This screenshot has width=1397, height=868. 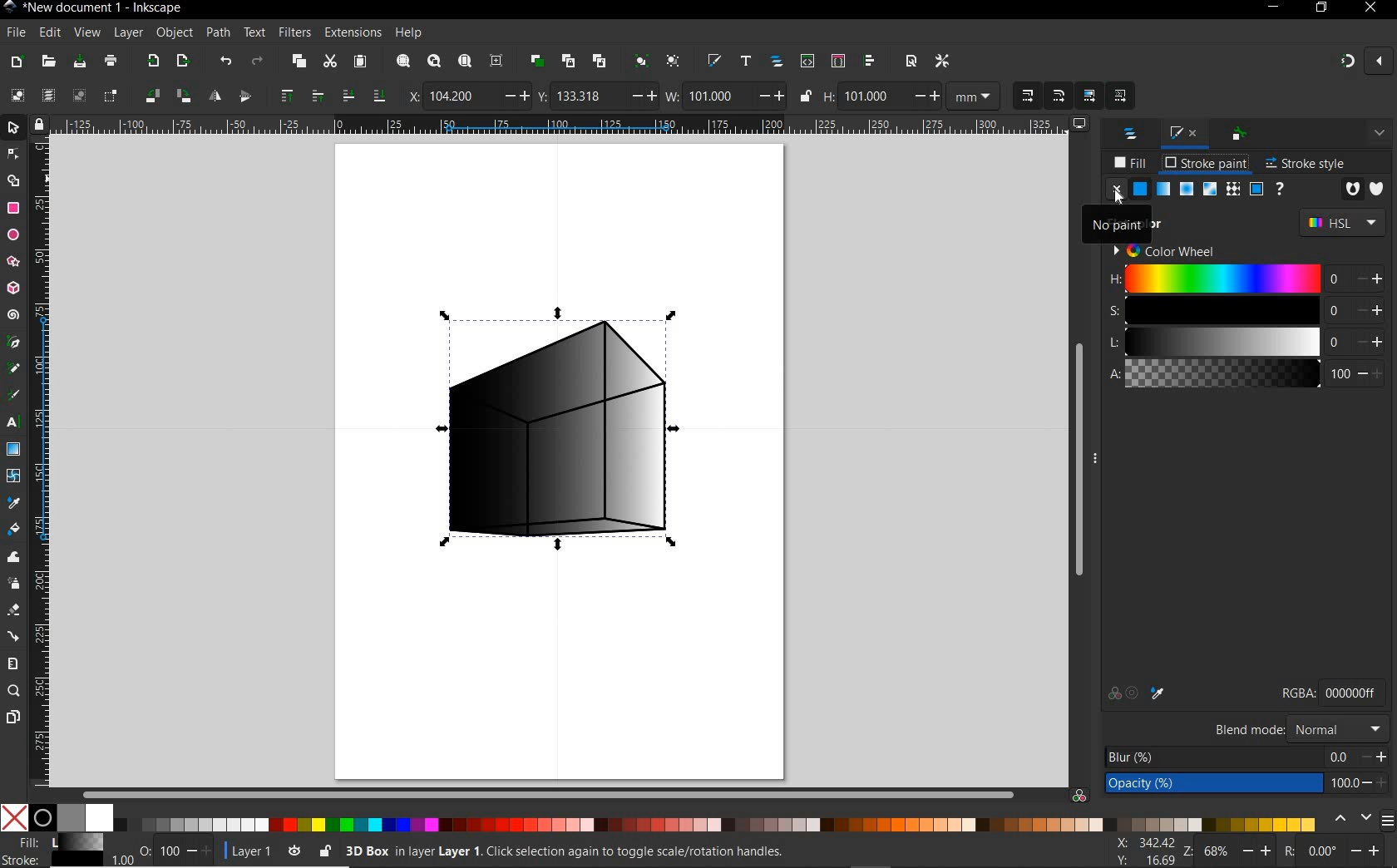 I want to click on OBJECT ROTATE, so click(x=183, y=96).